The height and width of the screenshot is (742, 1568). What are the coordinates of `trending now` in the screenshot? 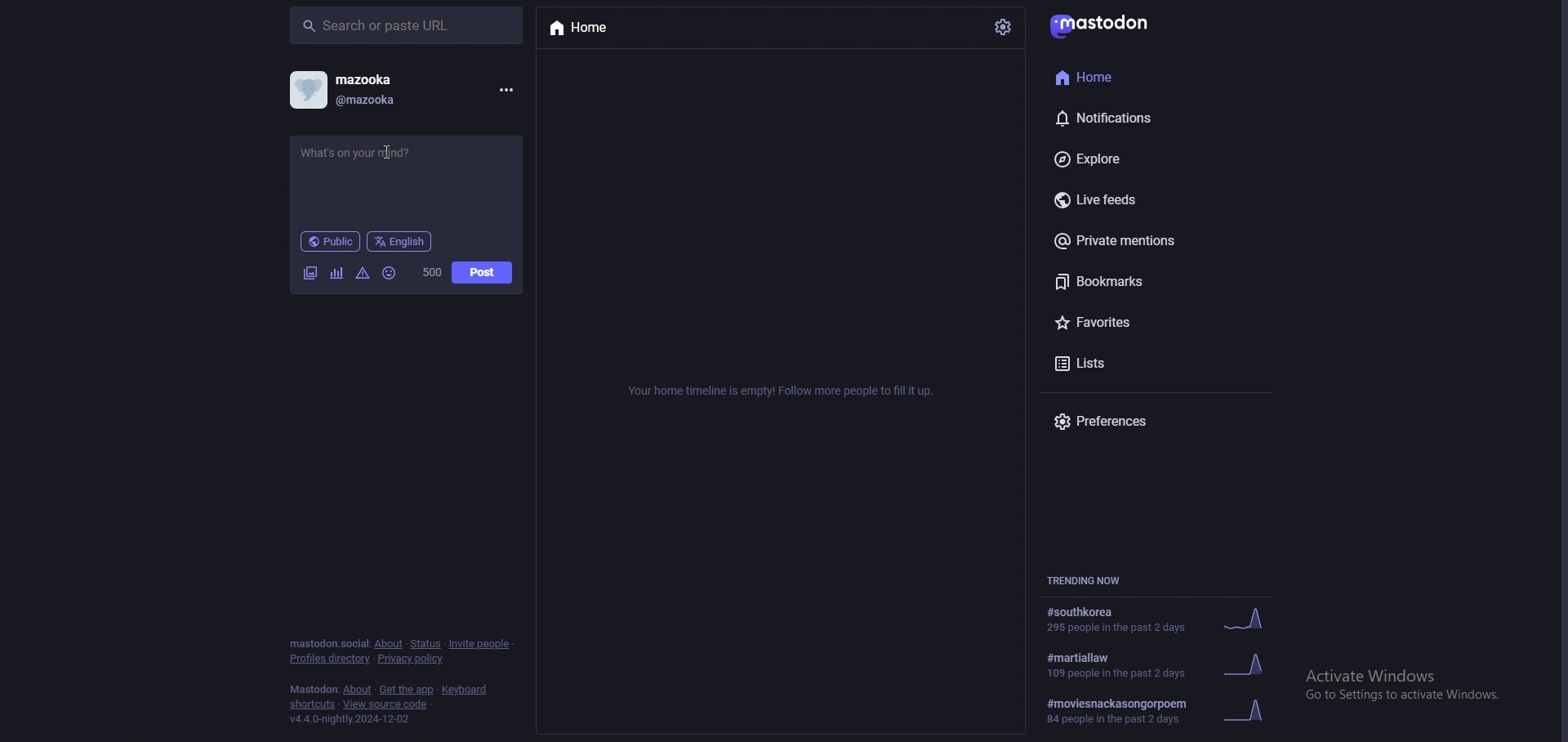 It's located at (1091, 579).